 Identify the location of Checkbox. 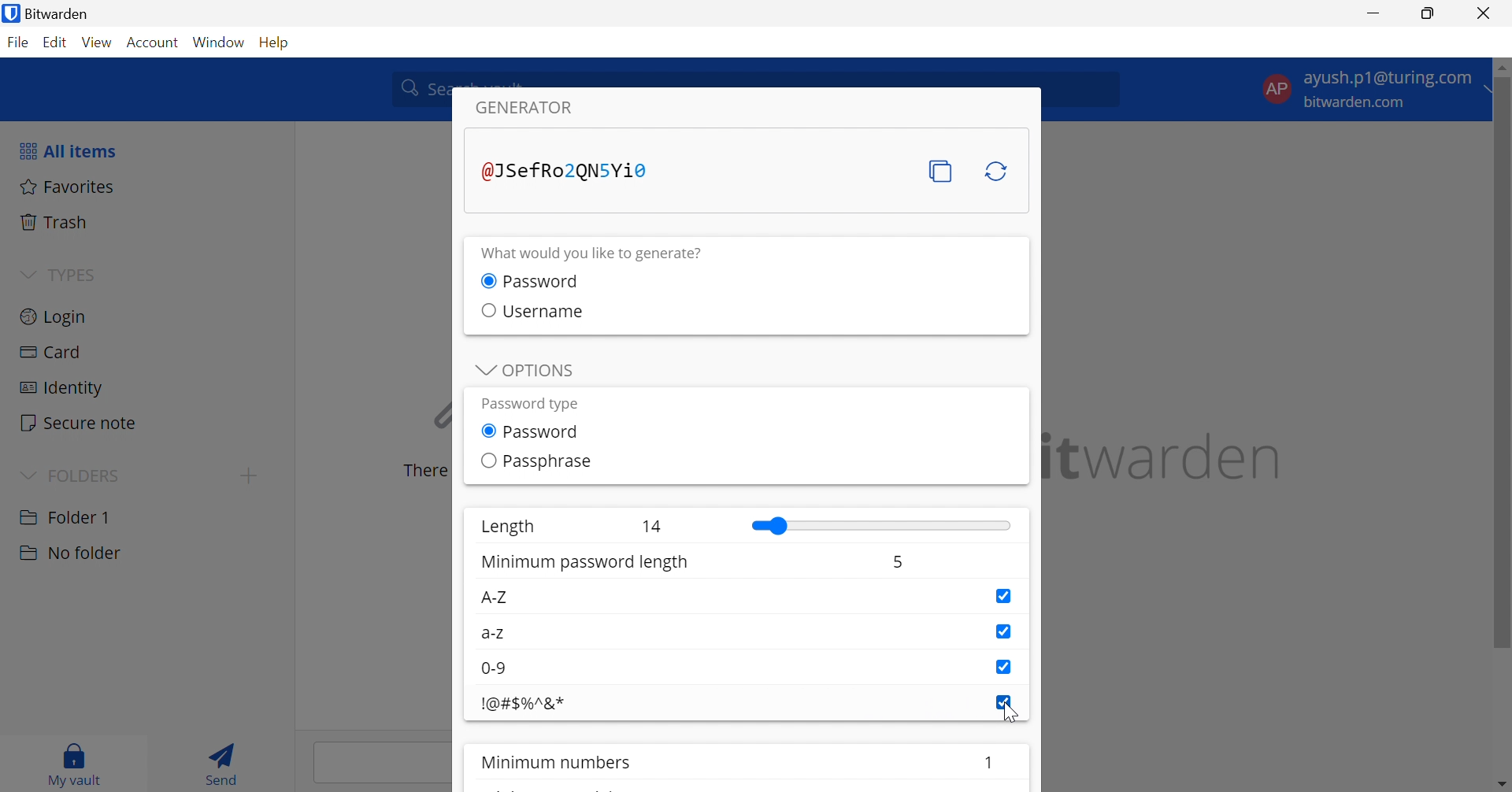
(484, 309).